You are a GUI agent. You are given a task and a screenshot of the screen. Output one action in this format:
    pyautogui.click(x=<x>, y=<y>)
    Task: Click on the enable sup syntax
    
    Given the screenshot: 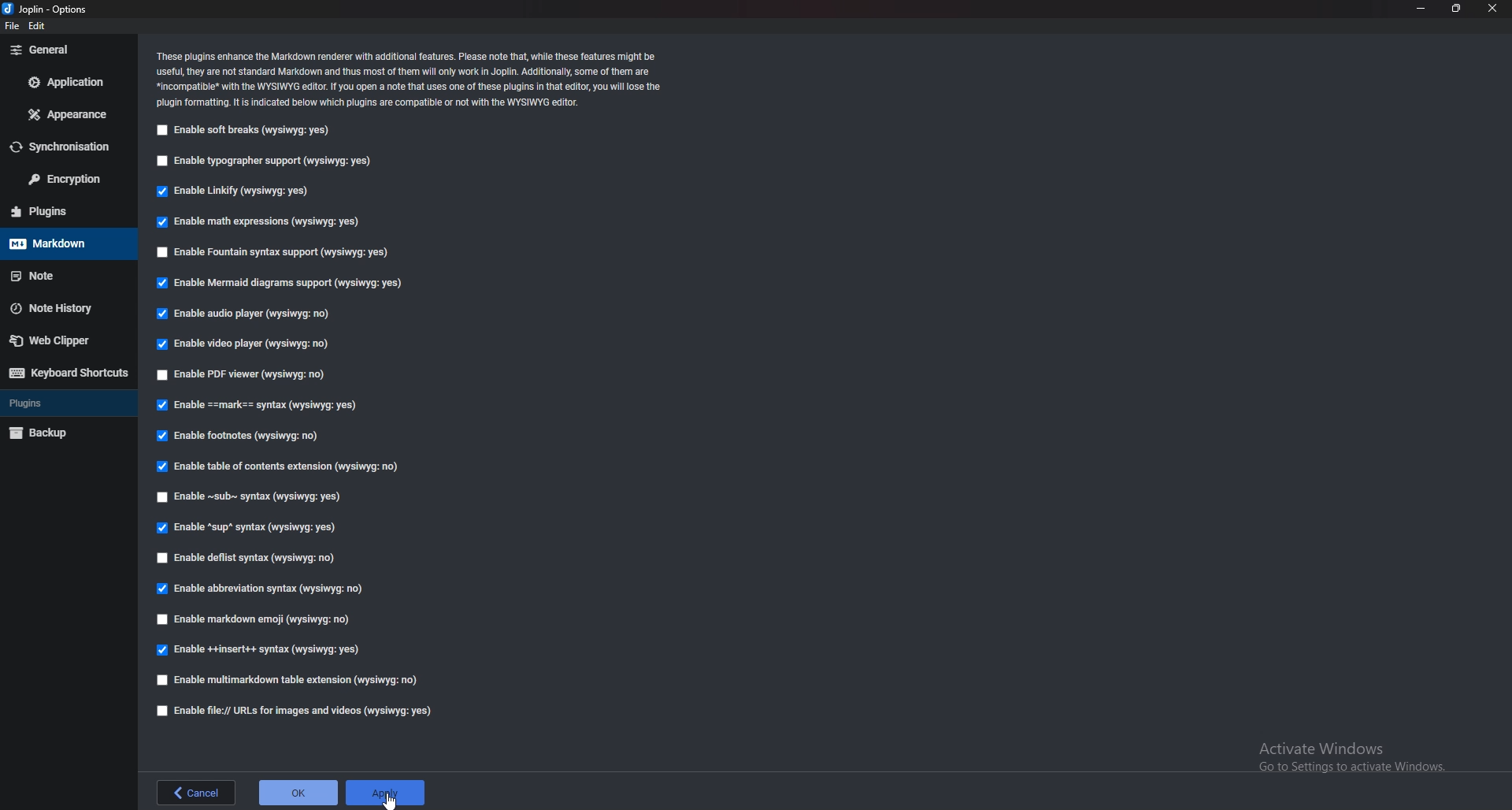 What is the action you would take?
    pyautogui.click(x=249, y=528)
    